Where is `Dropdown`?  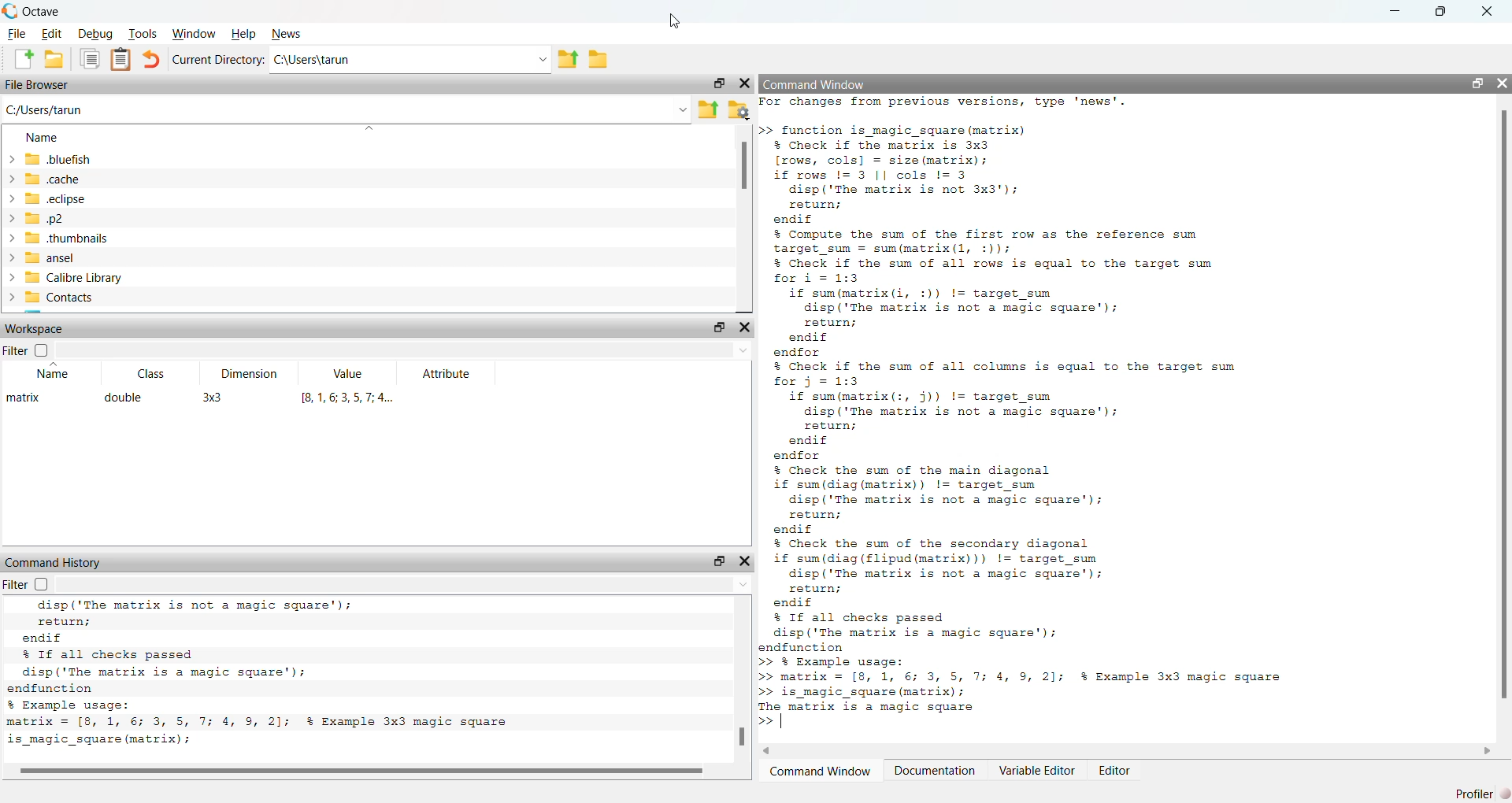 Dropdown is located at coordinates (367, 129).